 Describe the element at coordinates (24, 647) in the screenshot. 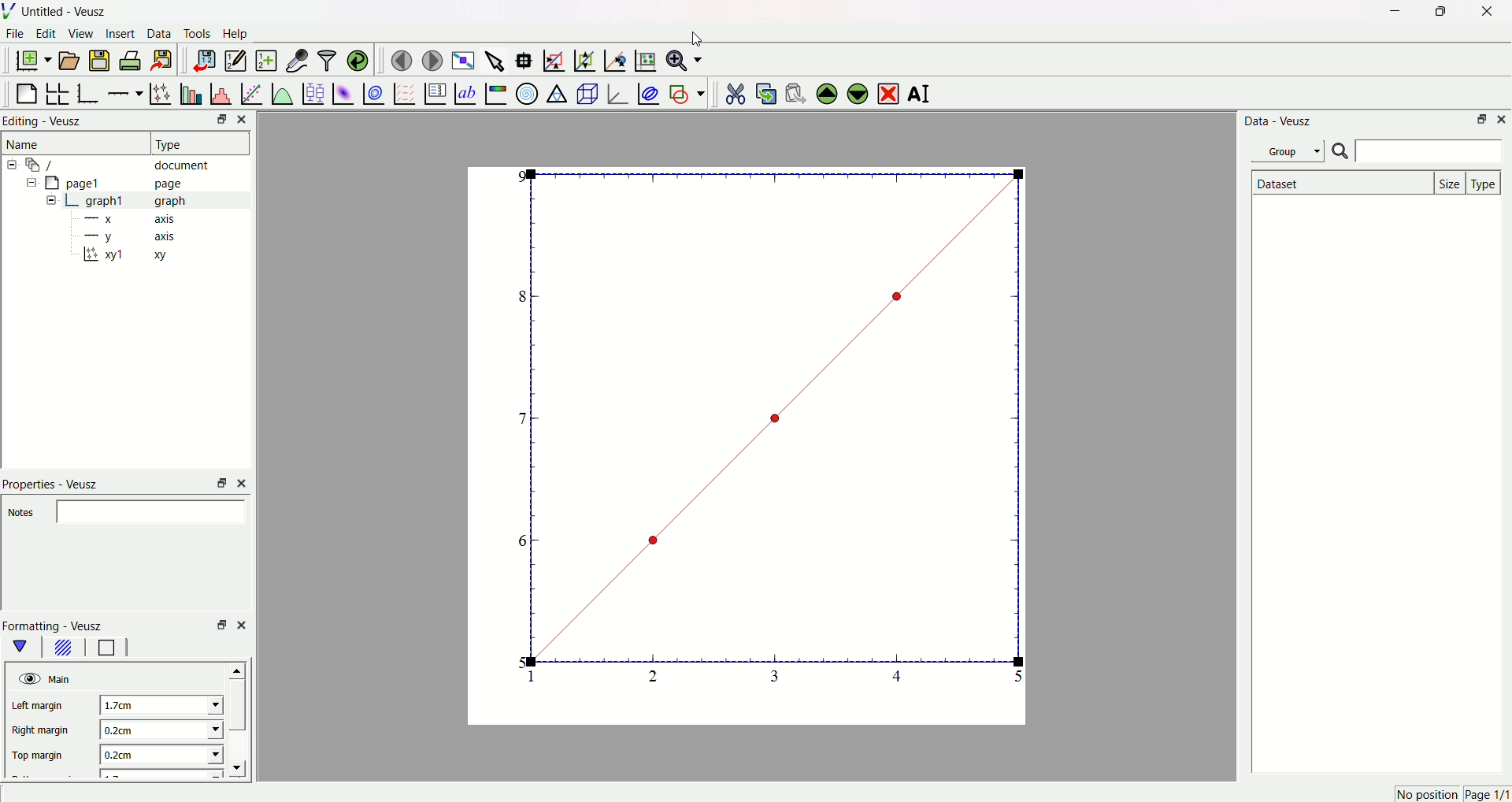

I see `main` at that location.